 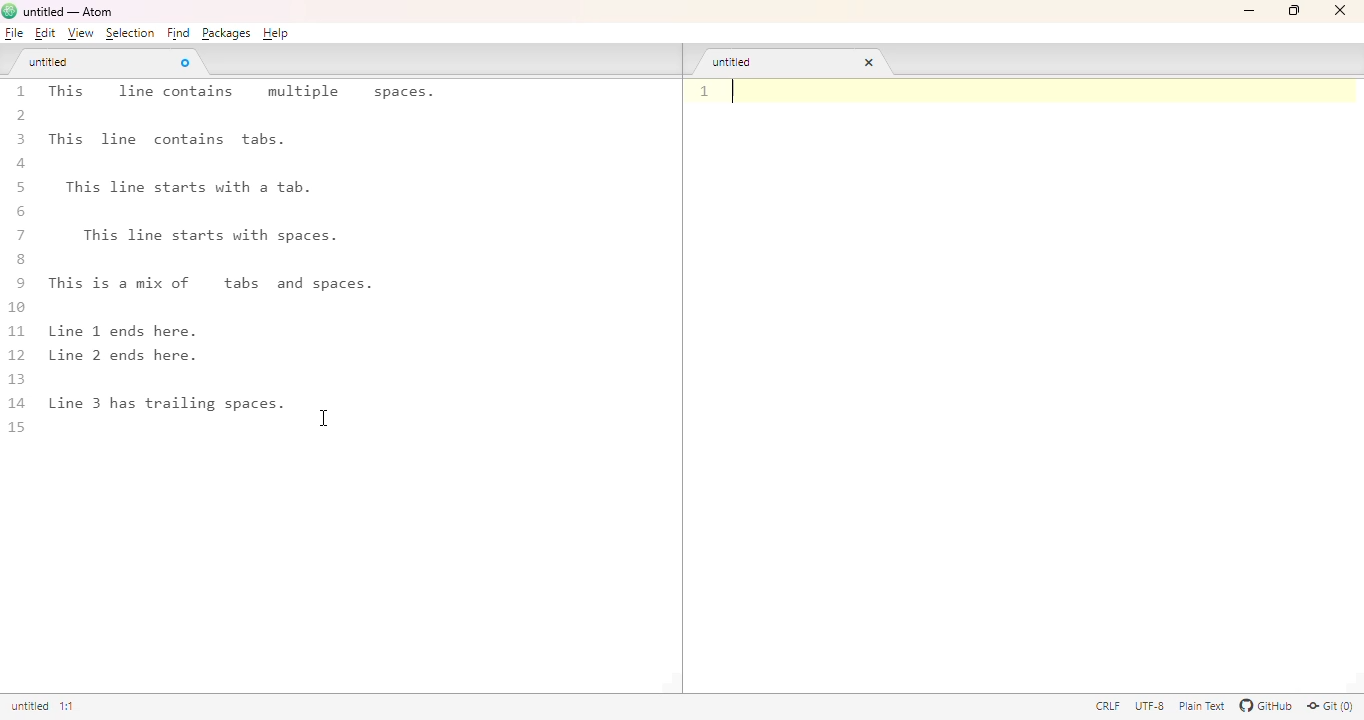 I want to click on line number, so click(x=705, y=92).